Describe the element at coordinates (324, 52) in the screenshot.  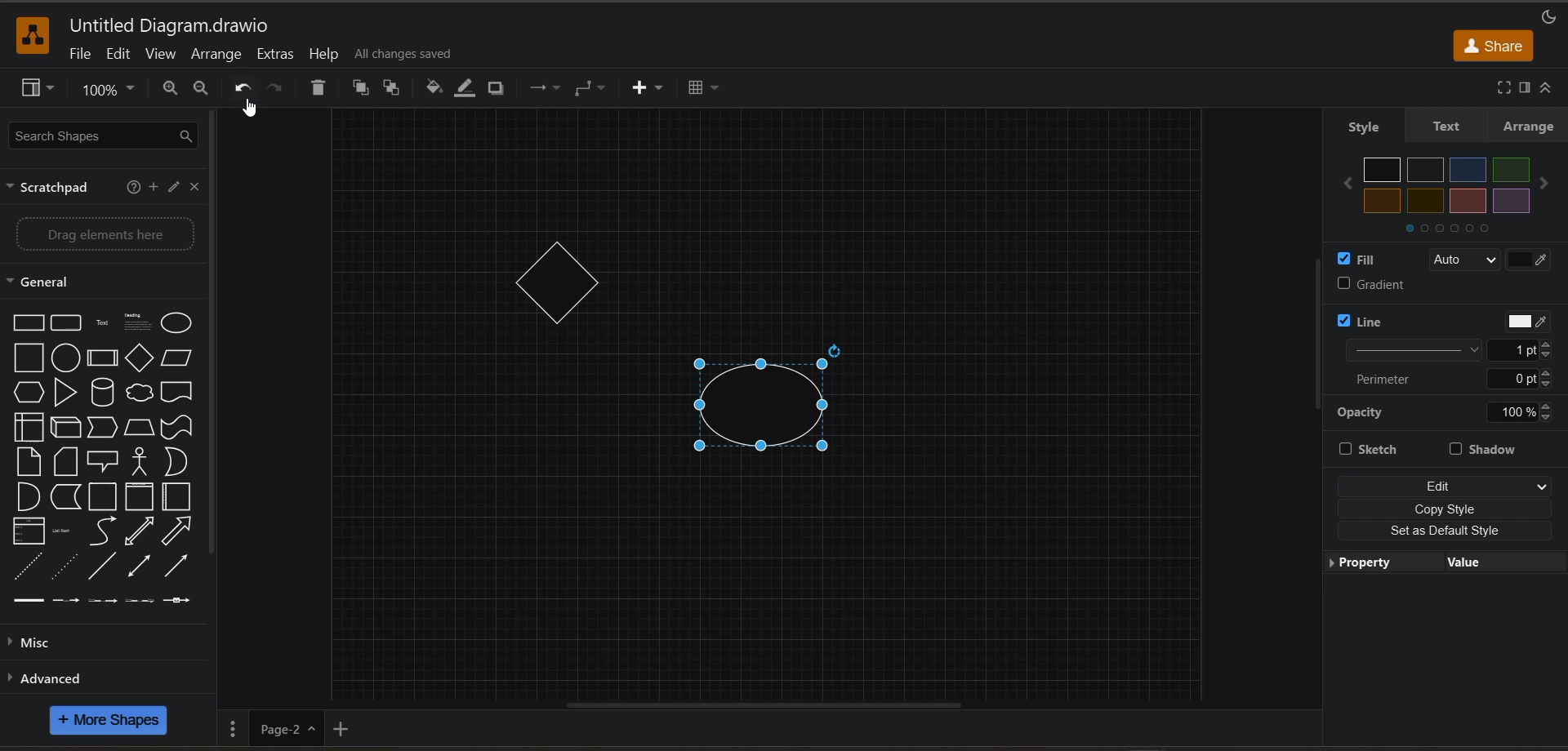
I see `help` at that location.